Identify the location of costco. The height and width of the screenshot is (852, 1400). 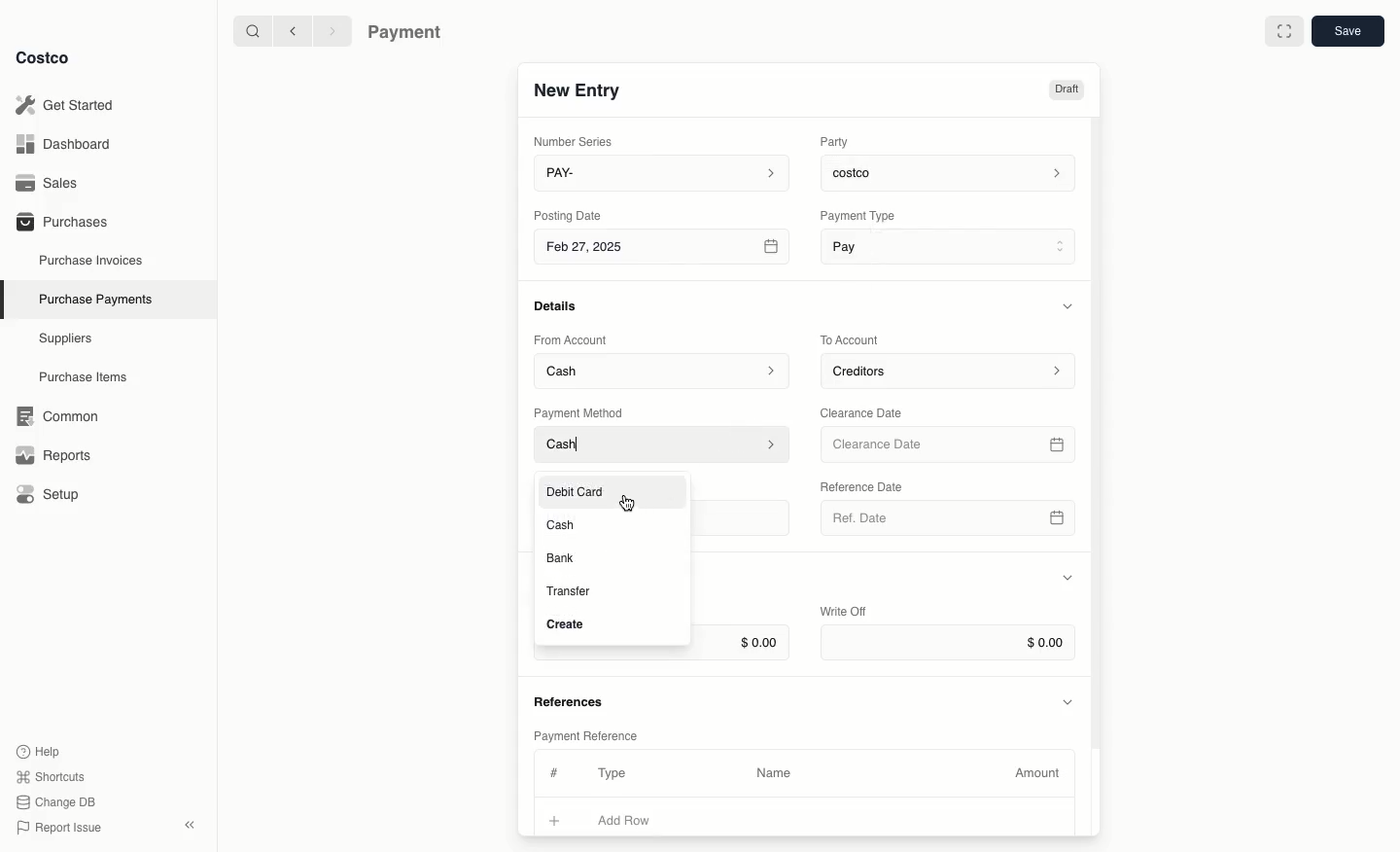
(953, 170).